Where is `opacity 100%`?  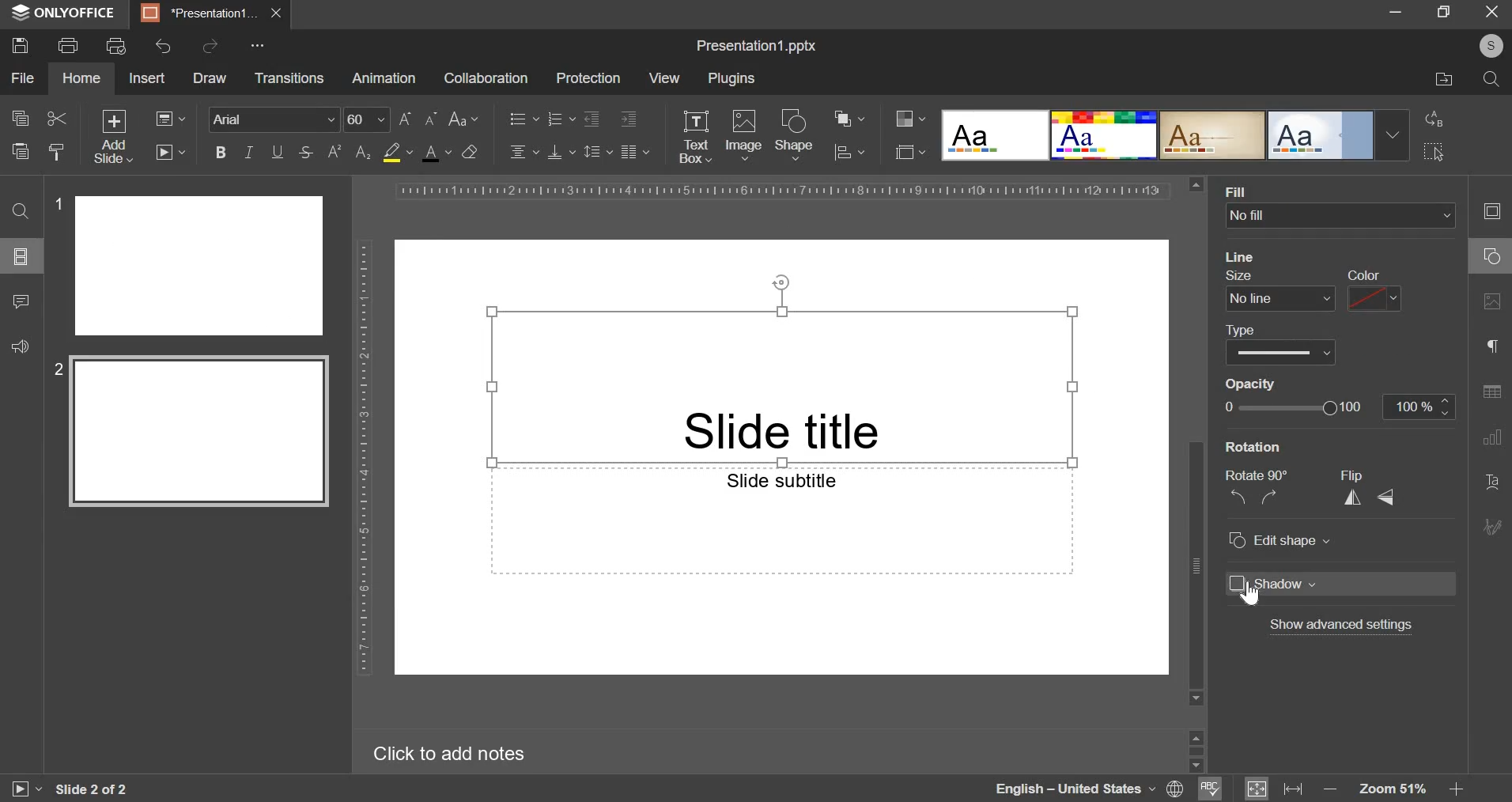 opacity 100% is located at coordinates (1421, 406).